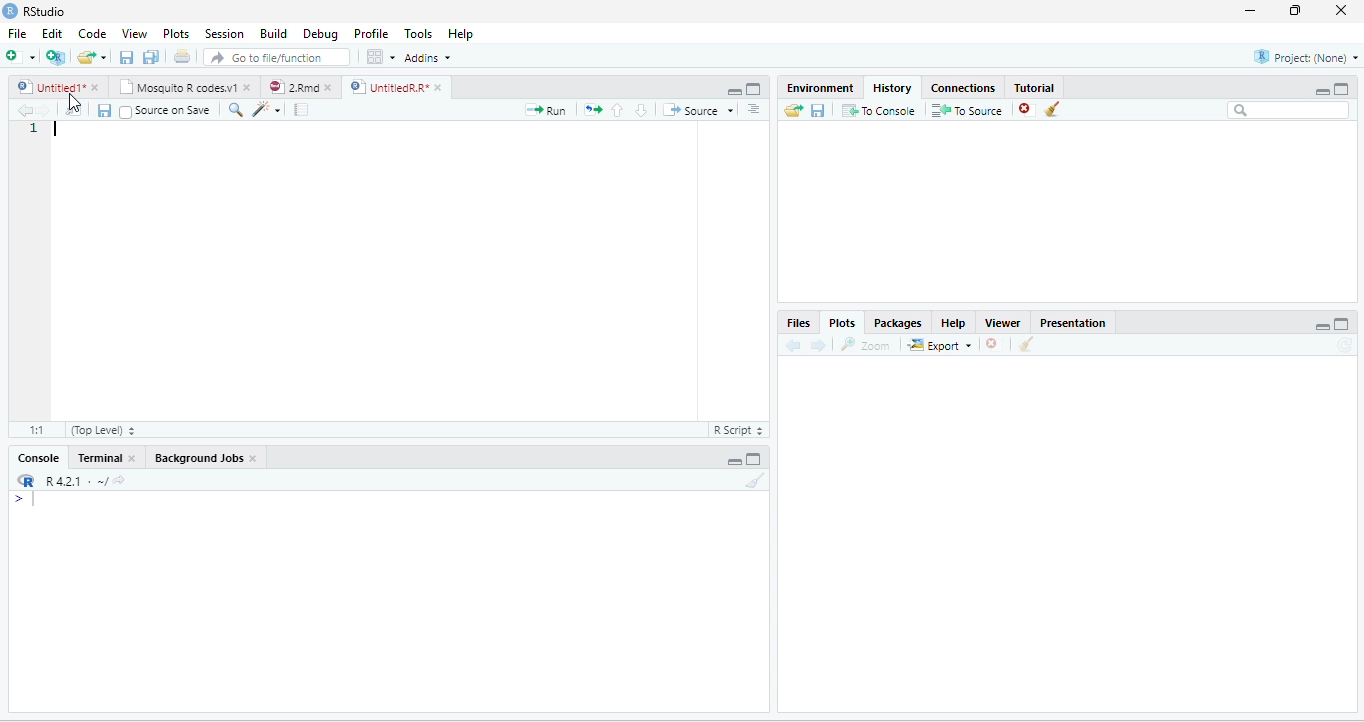 The image size is (1364, 722). I want to click on Clear all plots, so click(1027, 344).